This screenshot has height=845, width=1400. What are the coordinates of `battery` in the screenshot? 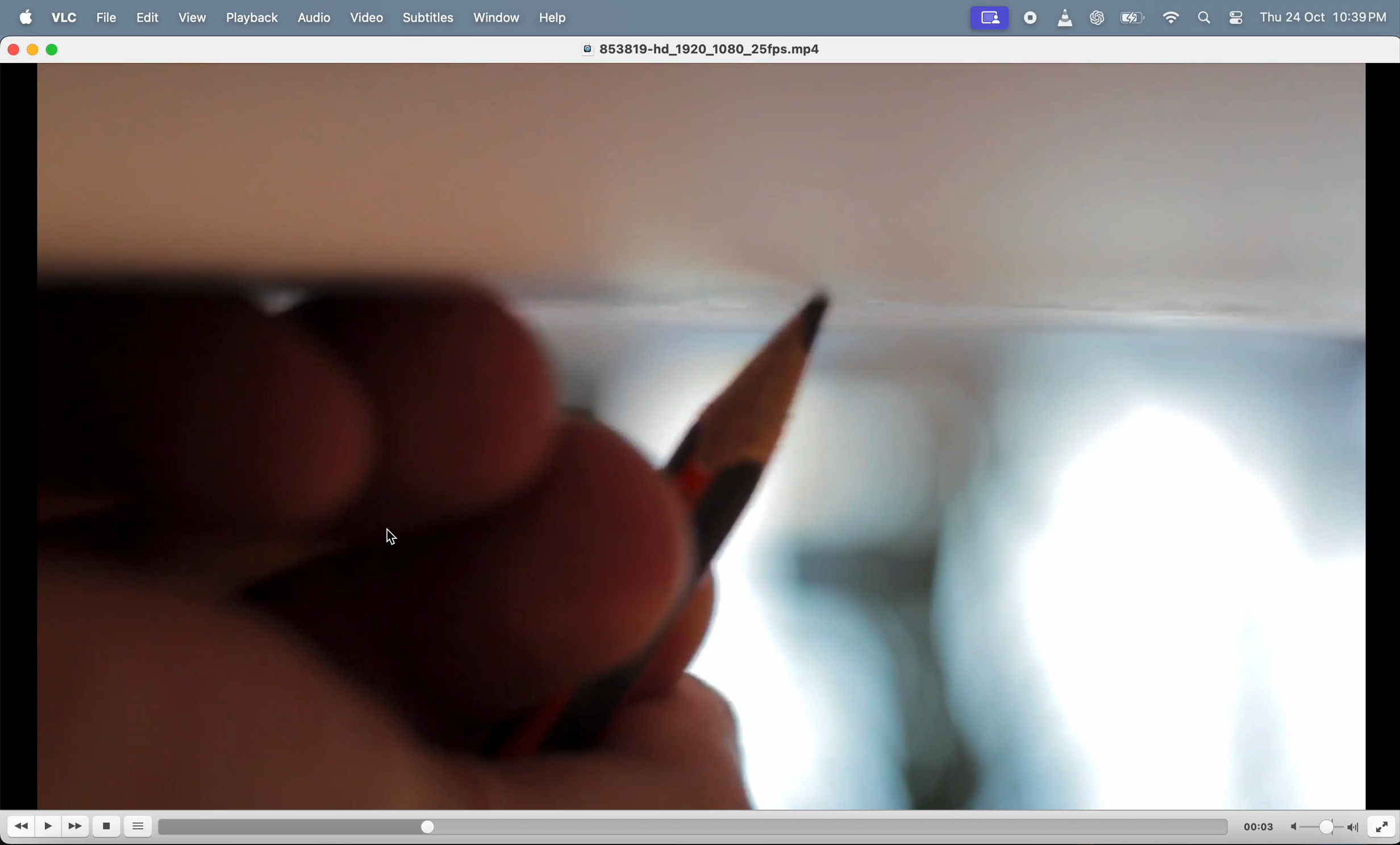 It's located at (1132, 19).